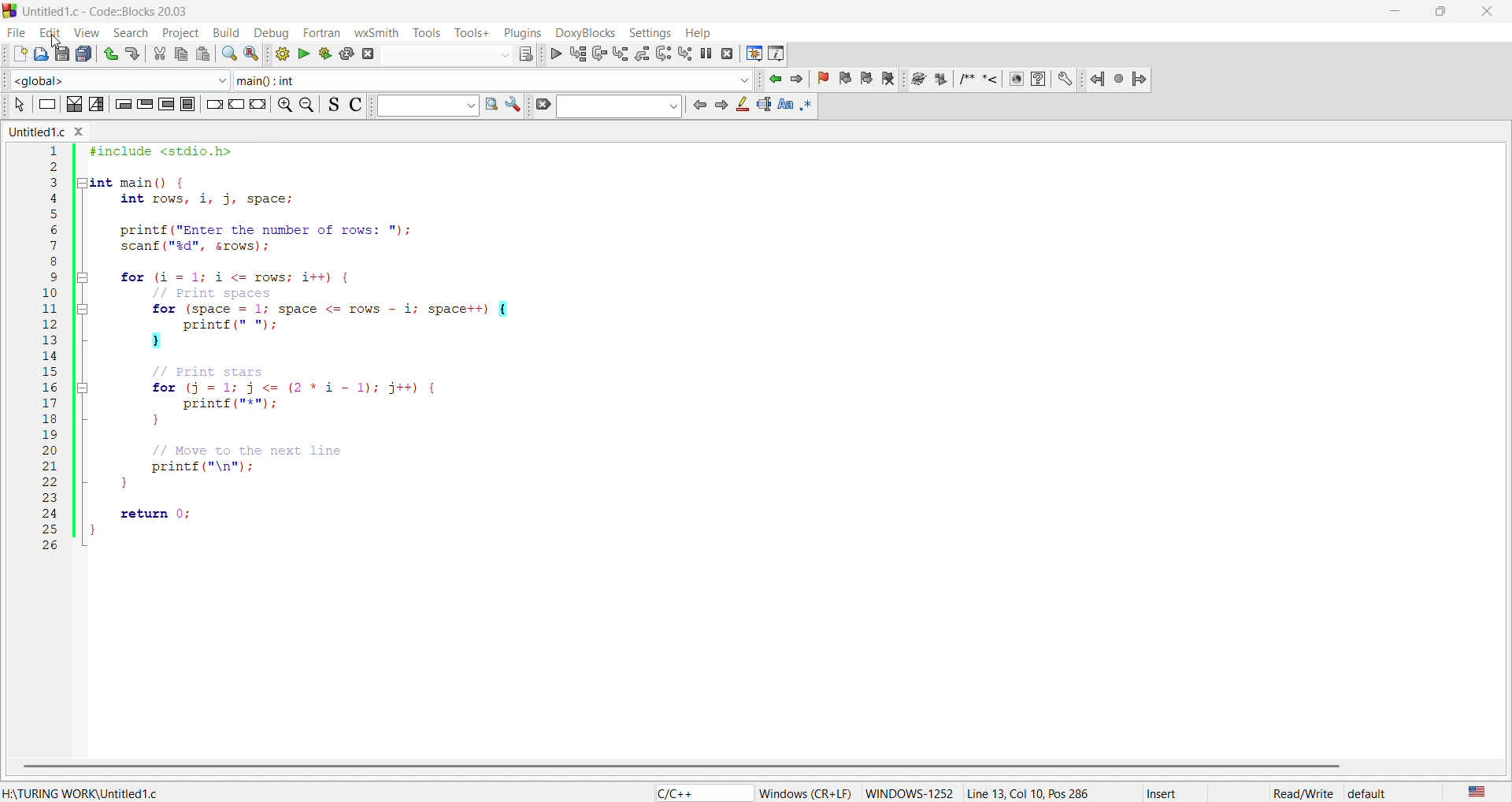  Describe the element at coordinates (1036, 794) in the screenshot. I see `Line 13, Col 10, Pos 286` at that location.